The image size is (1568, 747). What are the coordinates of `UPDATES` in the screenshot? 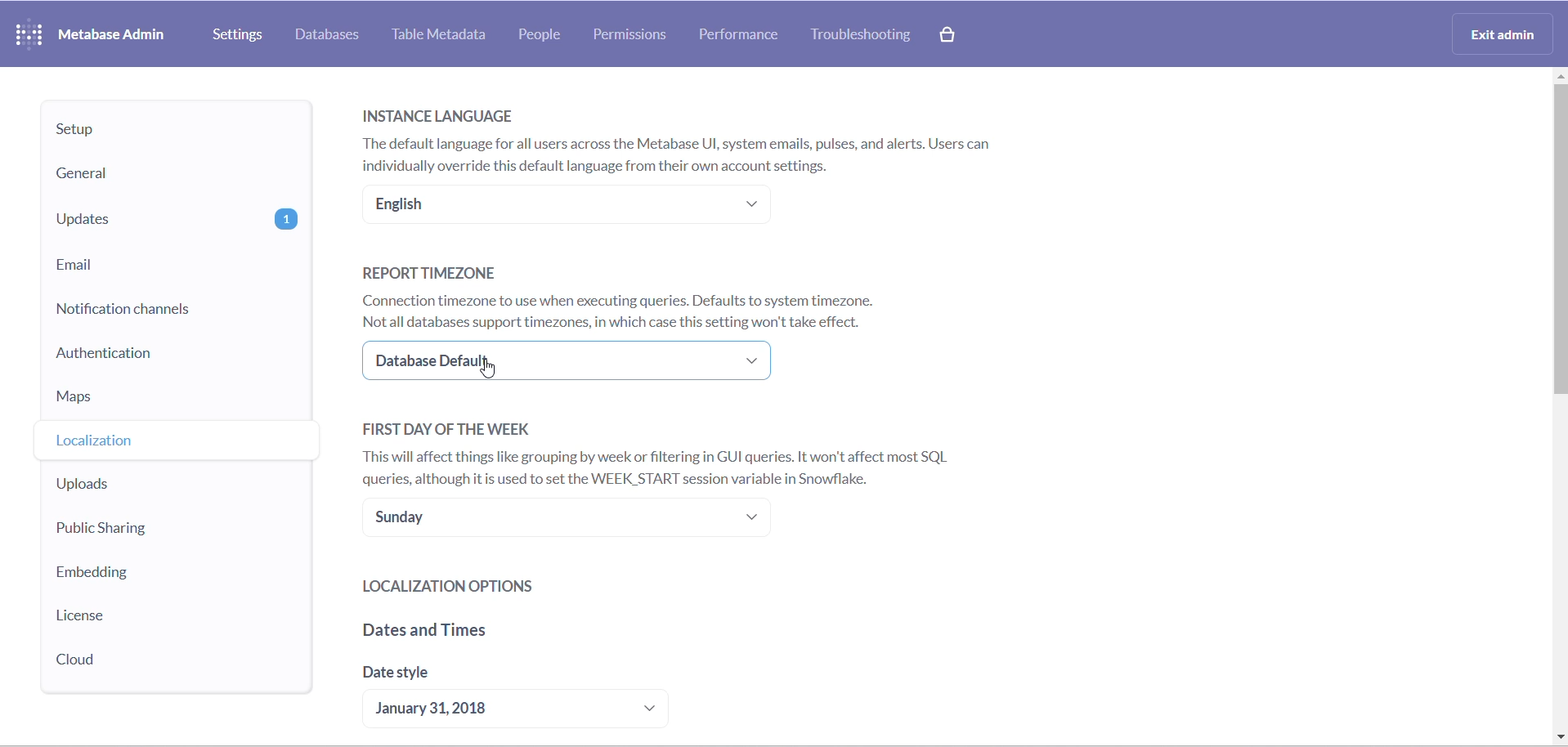 It's located at (176, 220).